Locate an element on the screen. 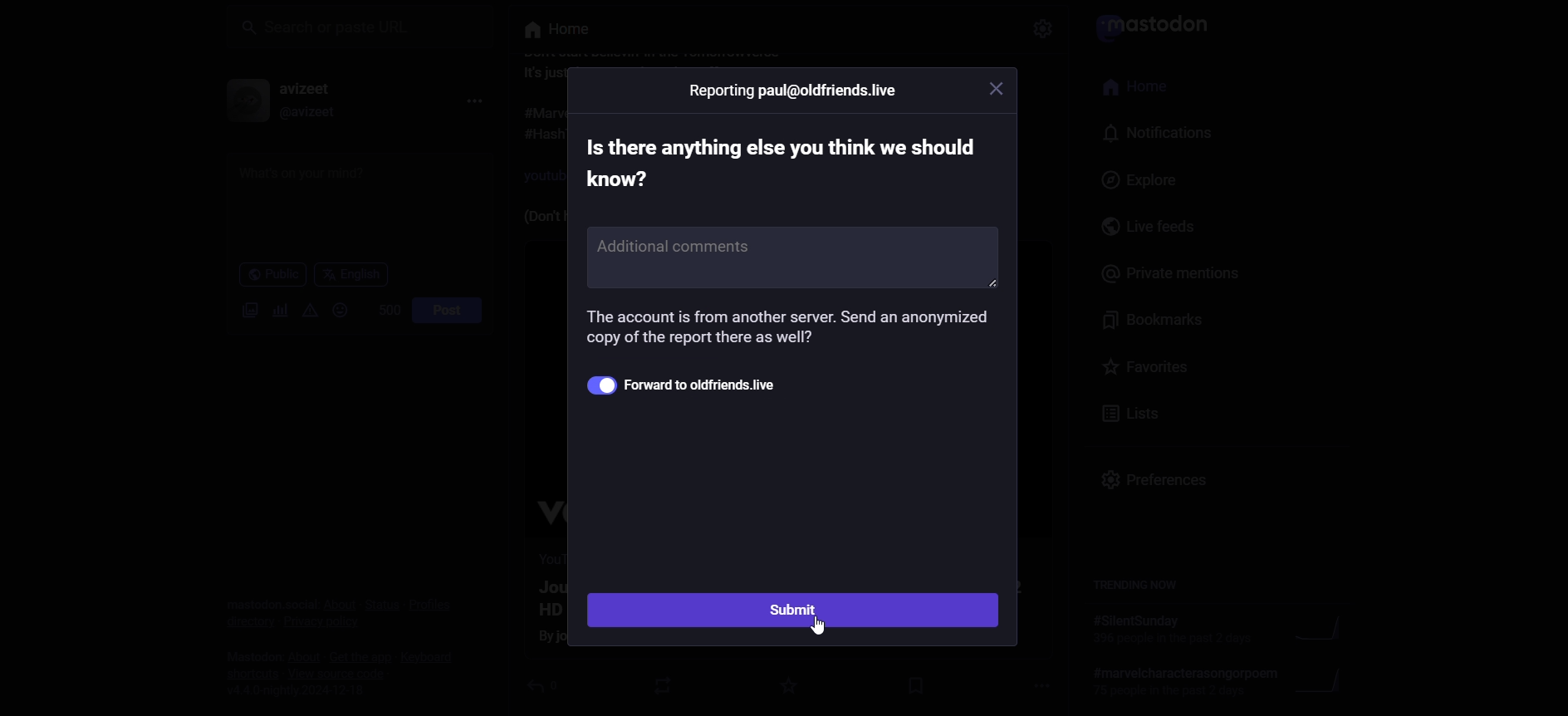  notification is located at coordinates (1152, 134).